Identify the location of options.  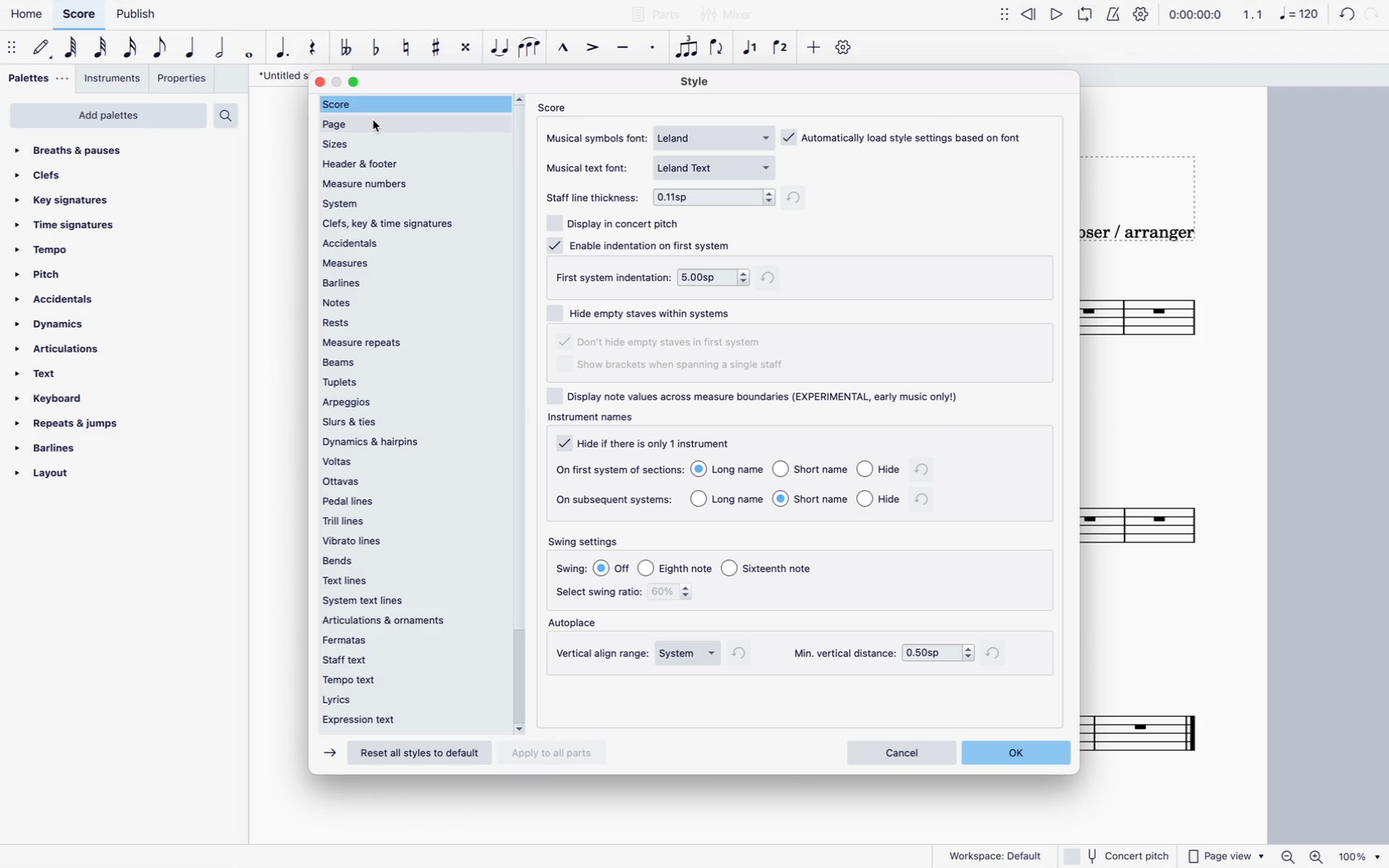
(795, 501).